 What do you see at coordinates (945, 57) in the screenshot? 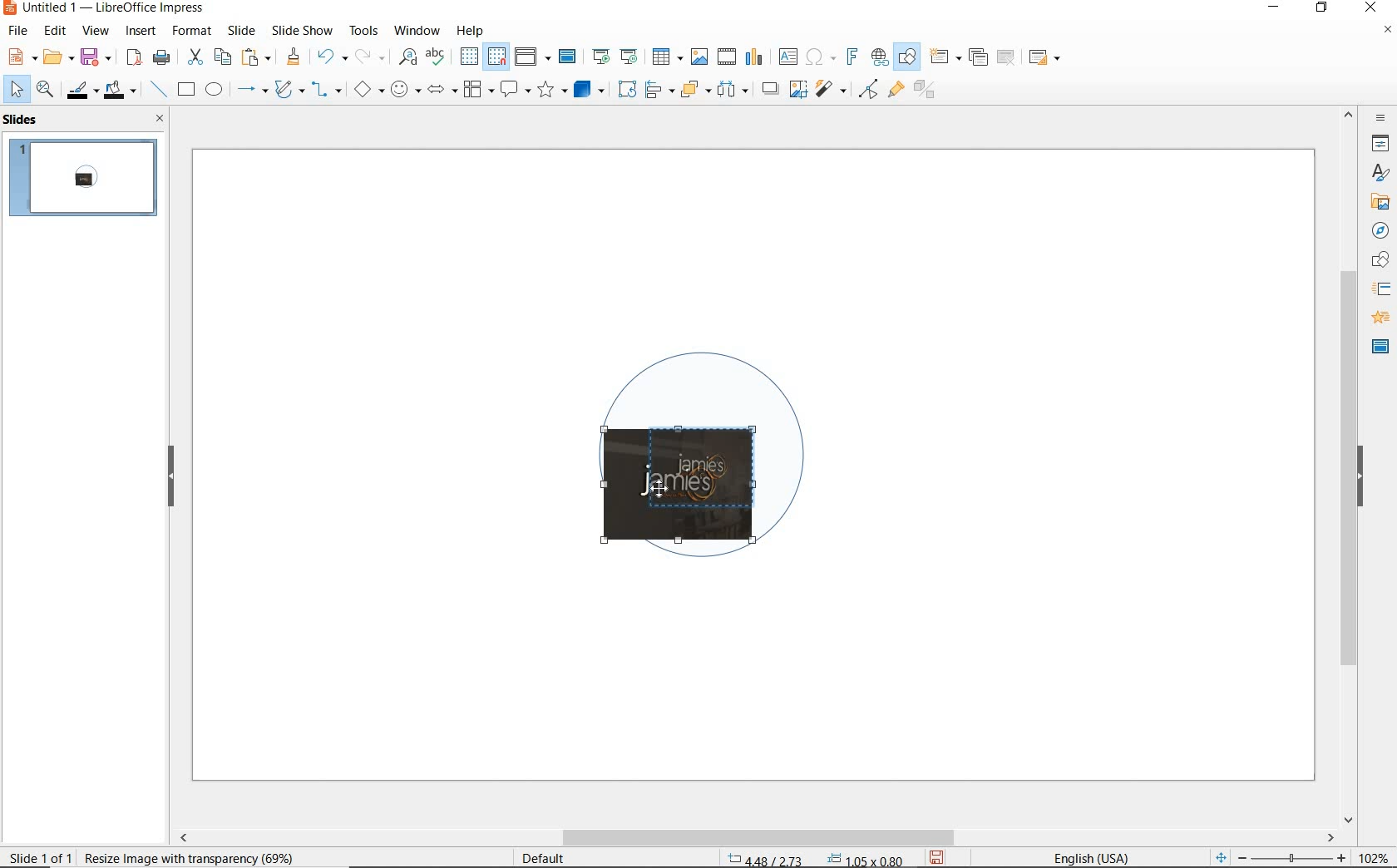
I see `new slide` at bounding box center [945, 57].